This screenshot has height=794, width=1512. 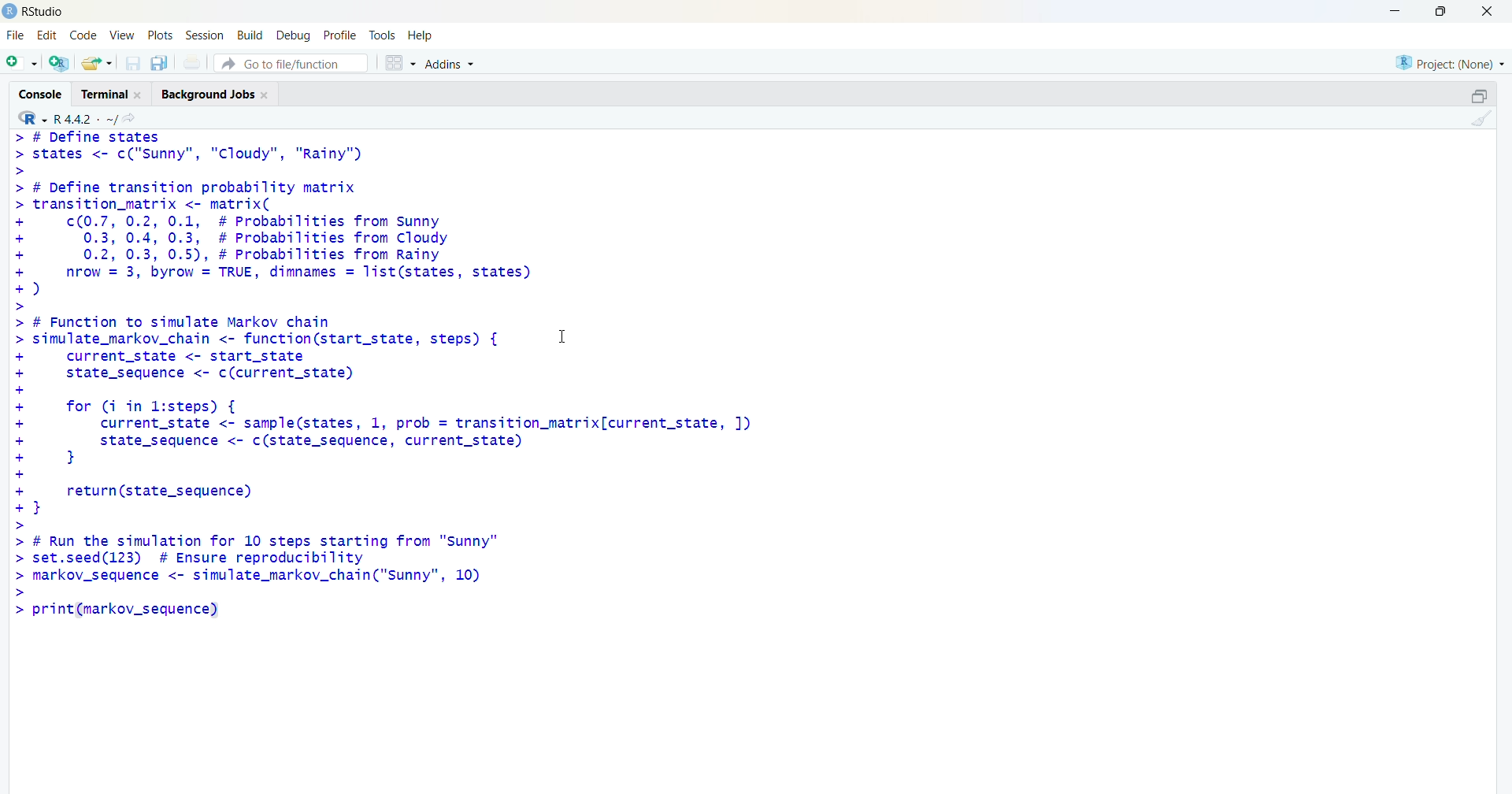 I want to click on session, so click(x=206, y=35).